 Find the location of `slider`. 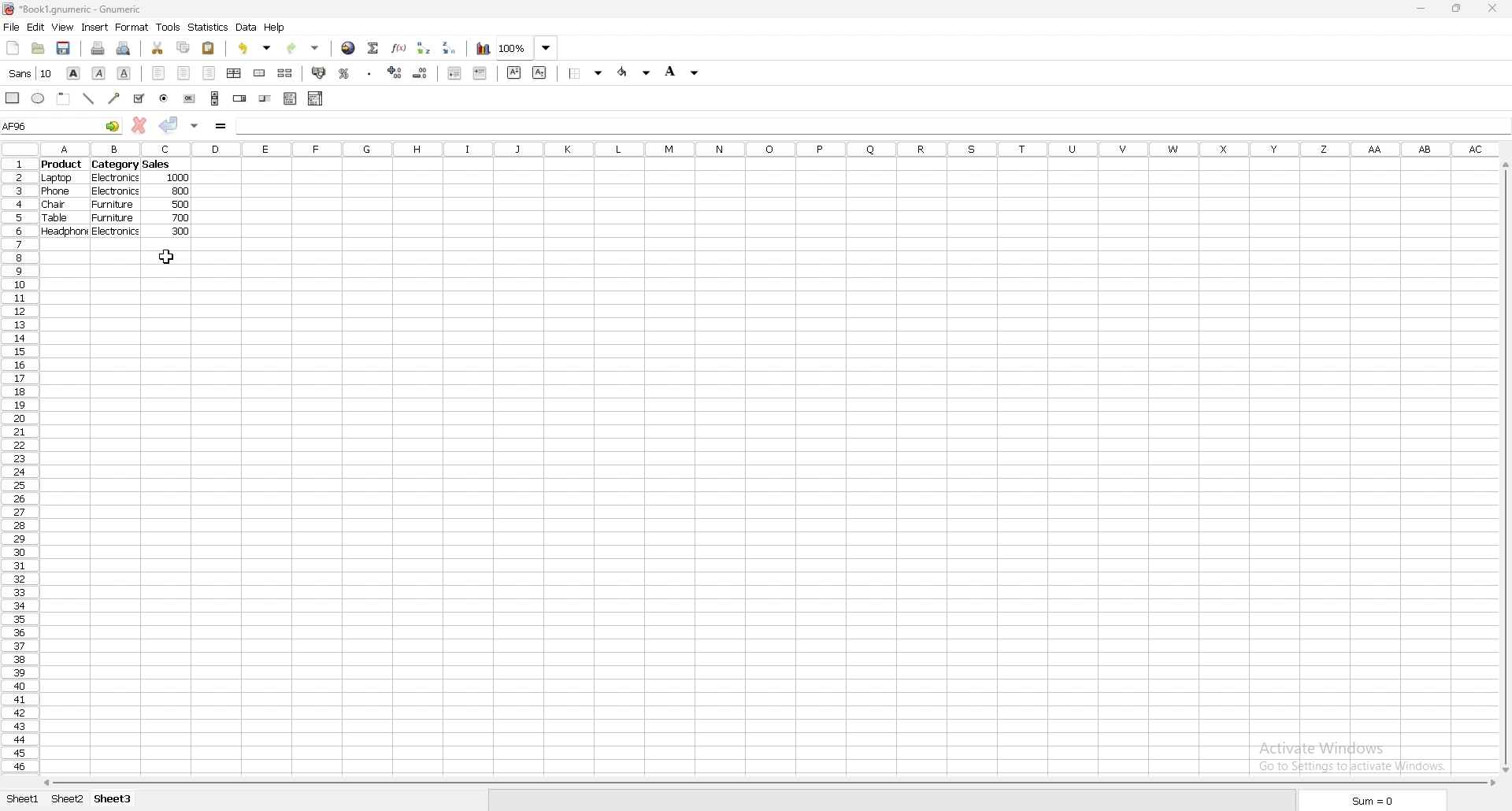

slider is located at coordinates (265, 100).